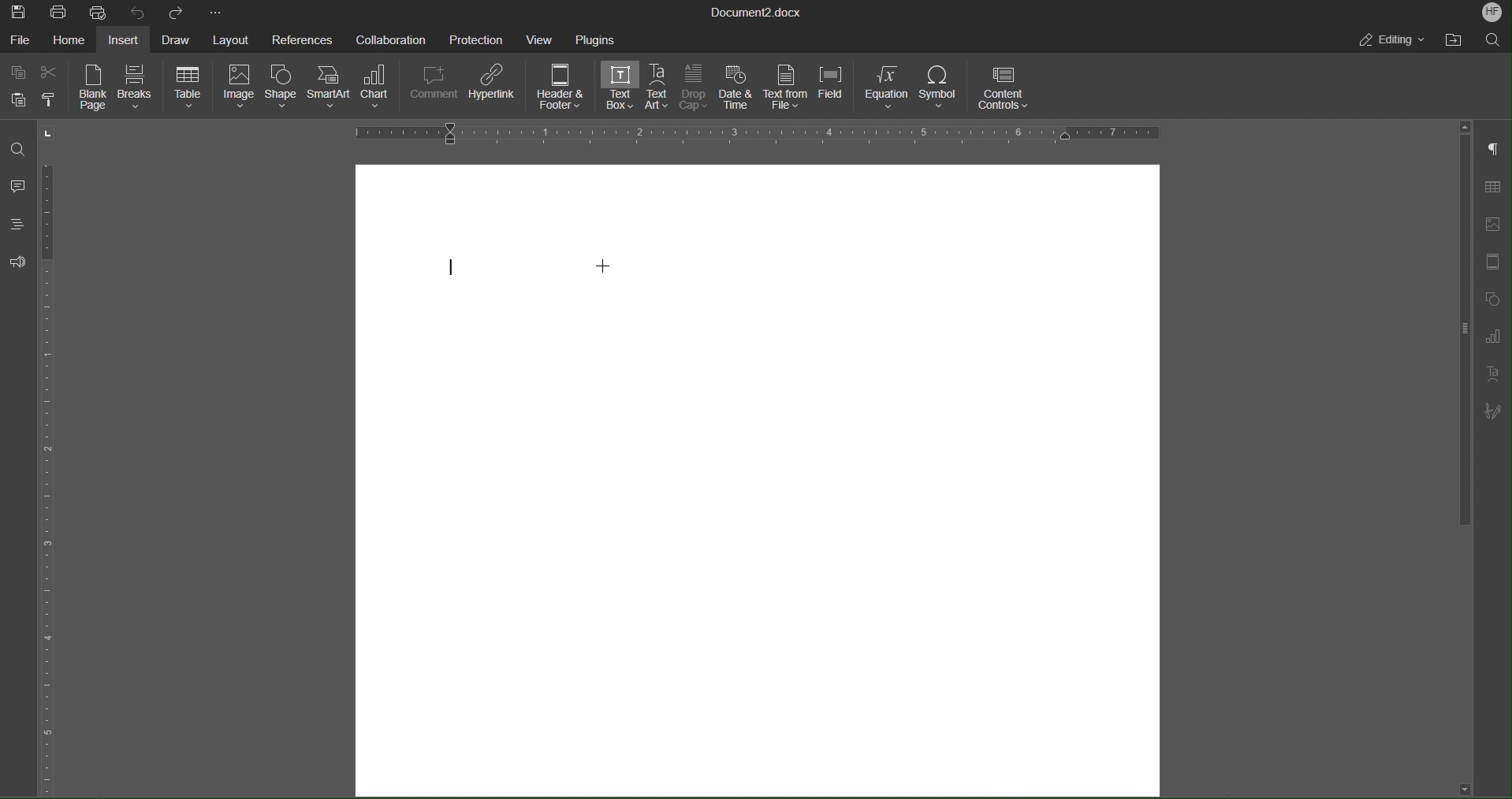 The height and width of the screenshot is (799, 1512). I want to click on Comments, so click(19, 186).